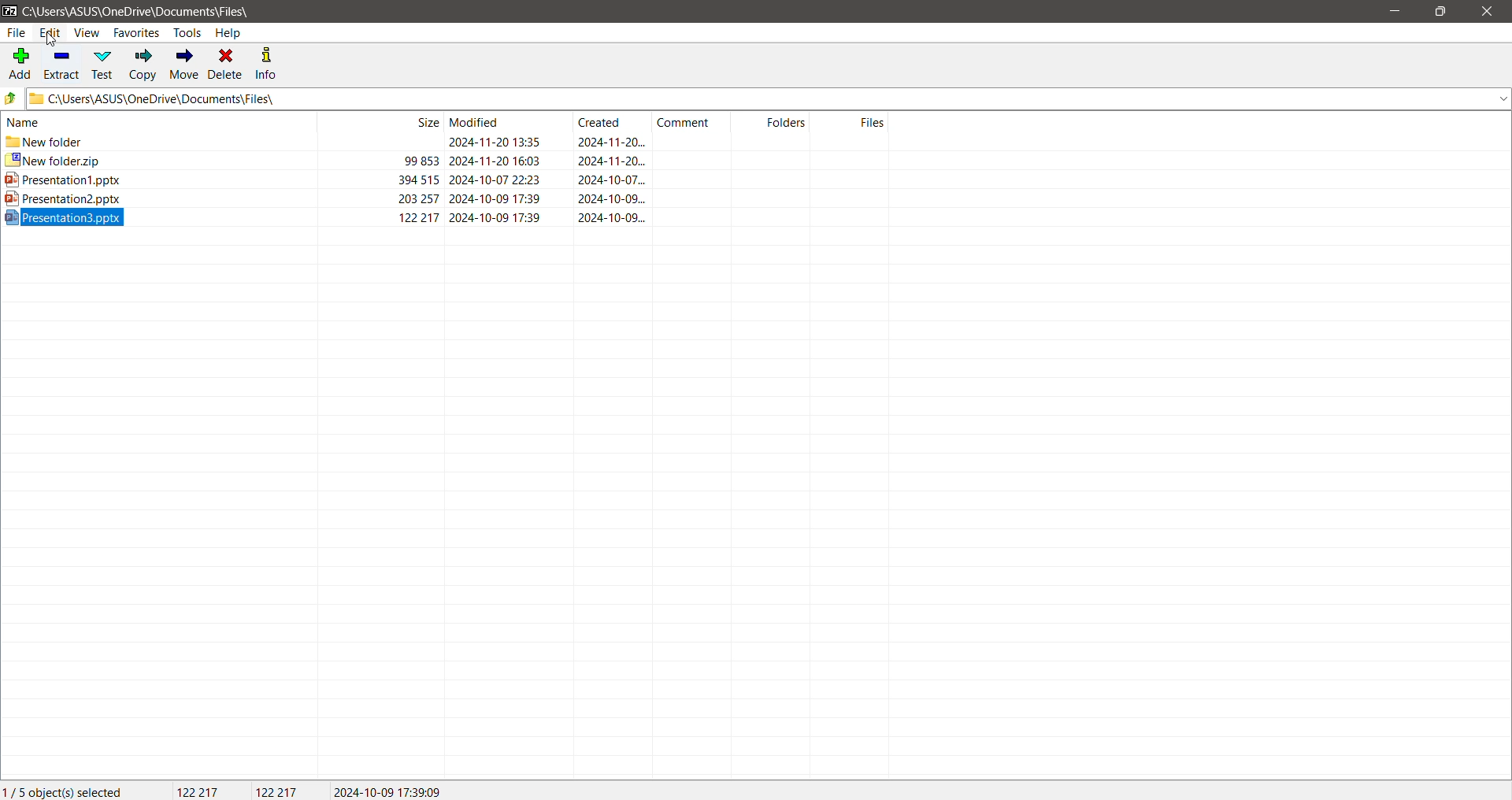 Image resolution: width=1512 pixels, height=800 pixels. Describe the element at coordinates (143, 64) in the screenshot. I see `Copy` at that location.